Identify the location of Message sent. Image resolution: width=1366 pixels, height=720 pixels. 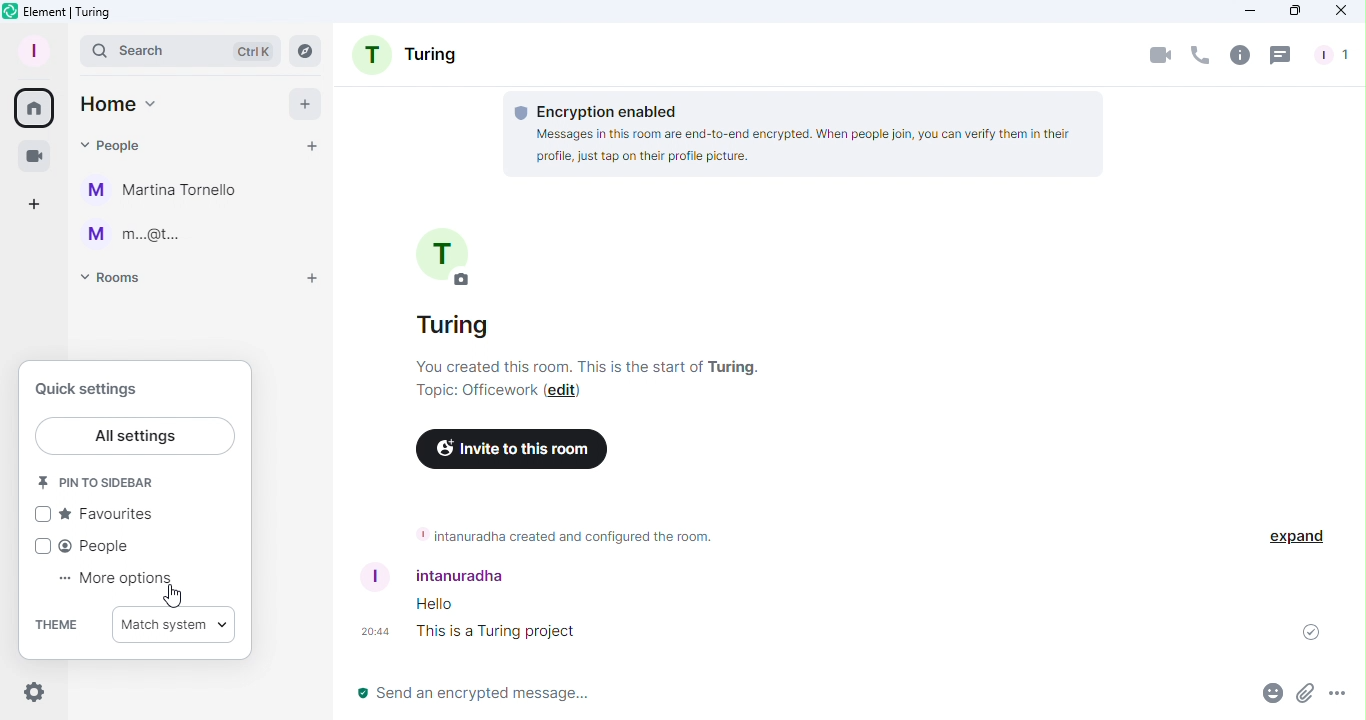
(1304, 632).